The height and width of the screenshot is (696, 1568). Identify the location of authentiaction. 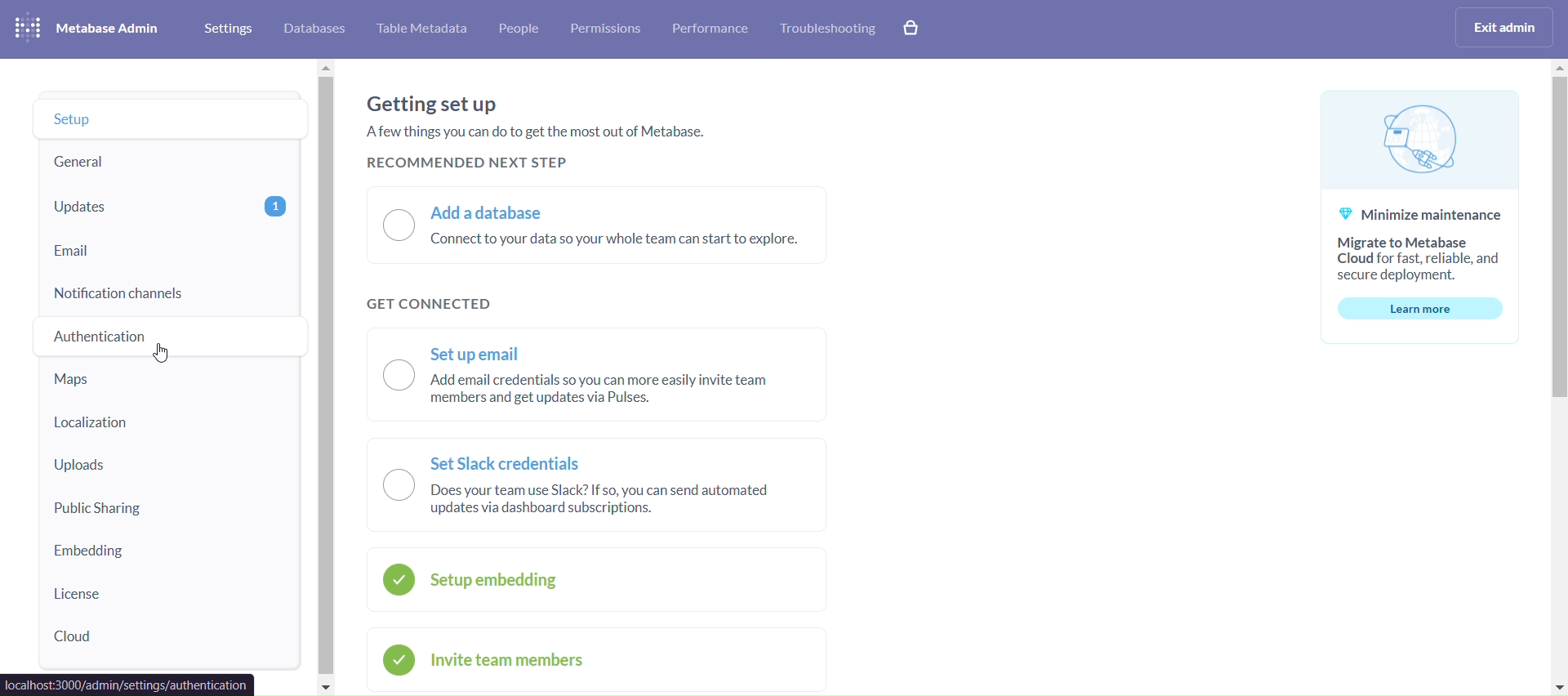
(171, 336).